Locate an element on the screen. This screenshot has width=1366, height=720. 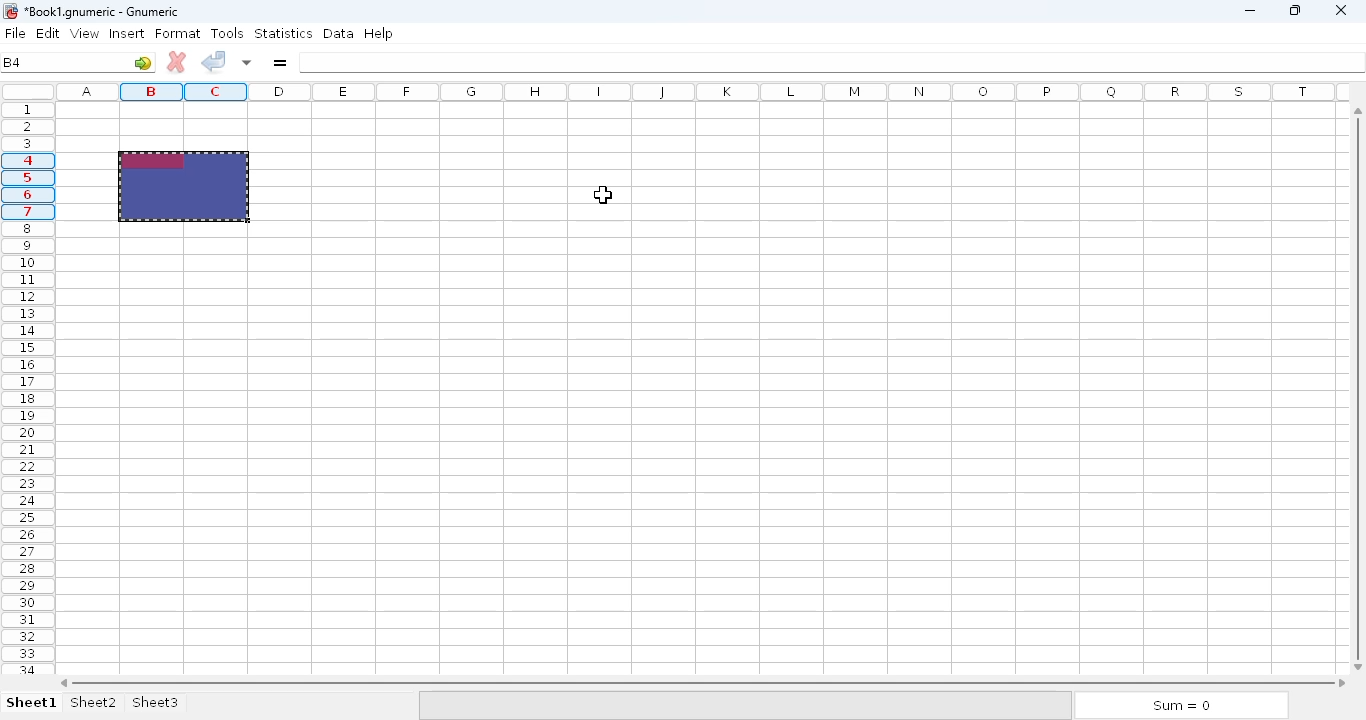
maximize is located at coordinates (1293, 10).